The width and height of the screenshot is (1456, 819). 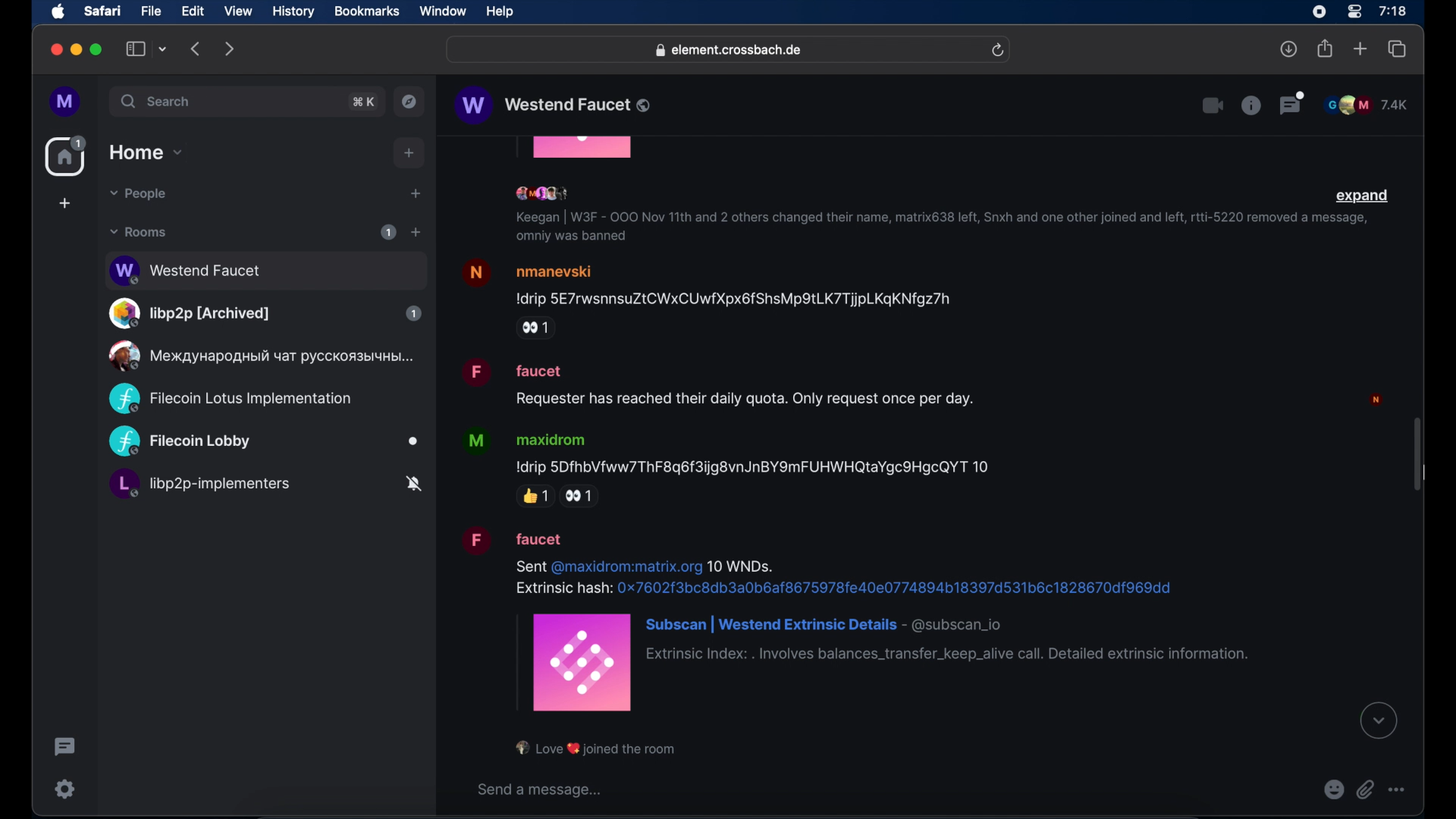 I want to click on settings, so click(x=66, y=789).